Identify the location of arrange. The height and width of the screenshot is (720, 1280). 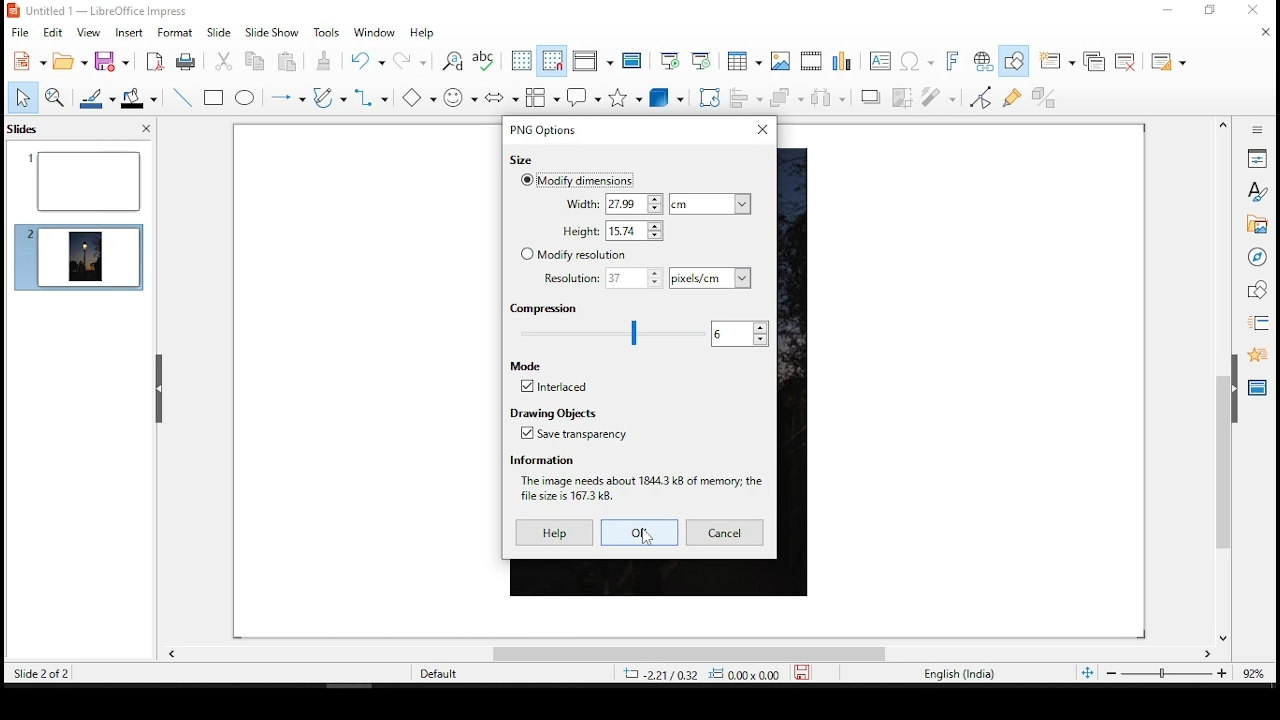
(787, 100).